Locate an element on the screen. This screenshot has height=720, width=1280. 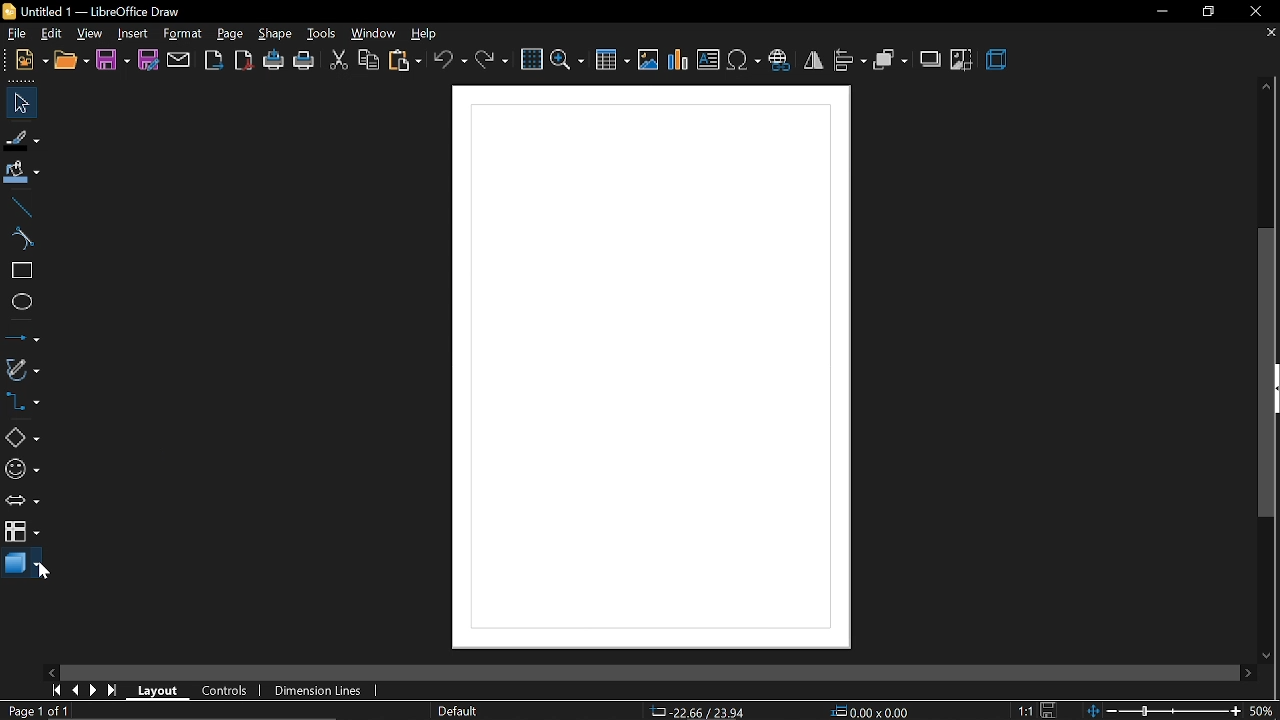
curve is located at coordinates (21, 238).